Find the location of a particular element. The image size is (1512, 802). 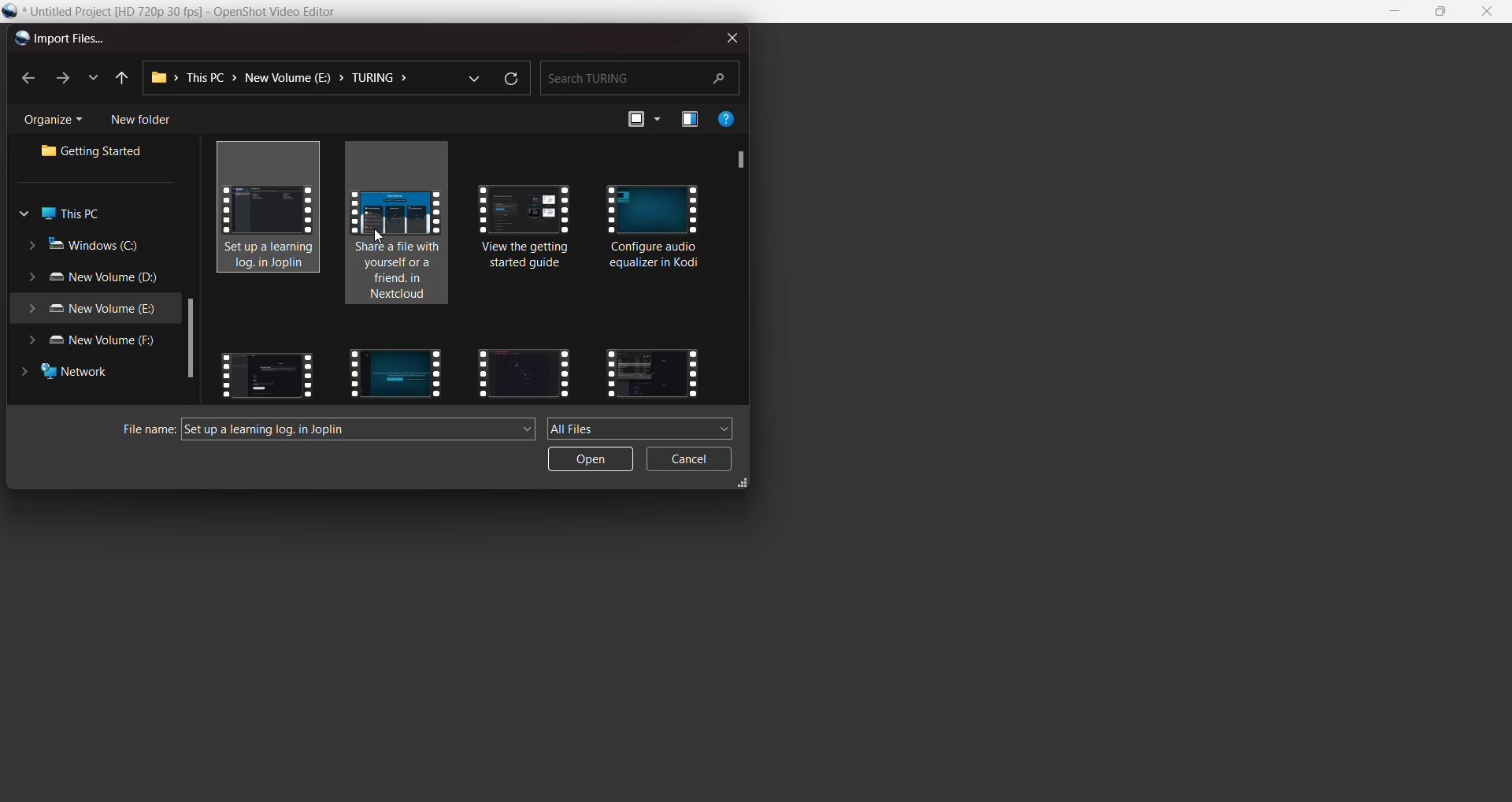

dropdown is located at coordinates (472, 76).